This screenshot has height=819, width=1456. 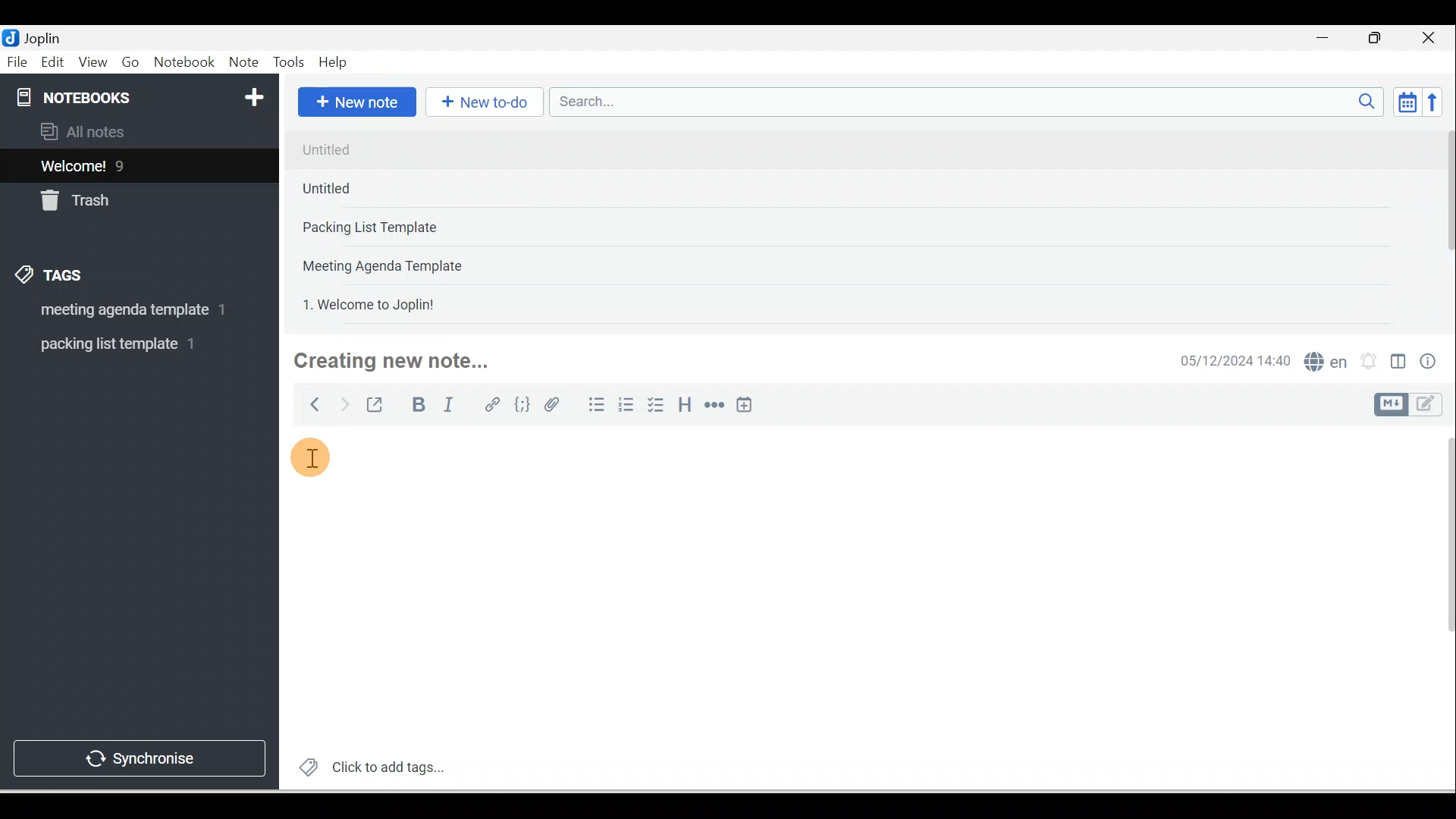 What do you see at coordinates (366, 765) in the screenshot?
I see `Click to add tags` at bounding box center [366, 765].